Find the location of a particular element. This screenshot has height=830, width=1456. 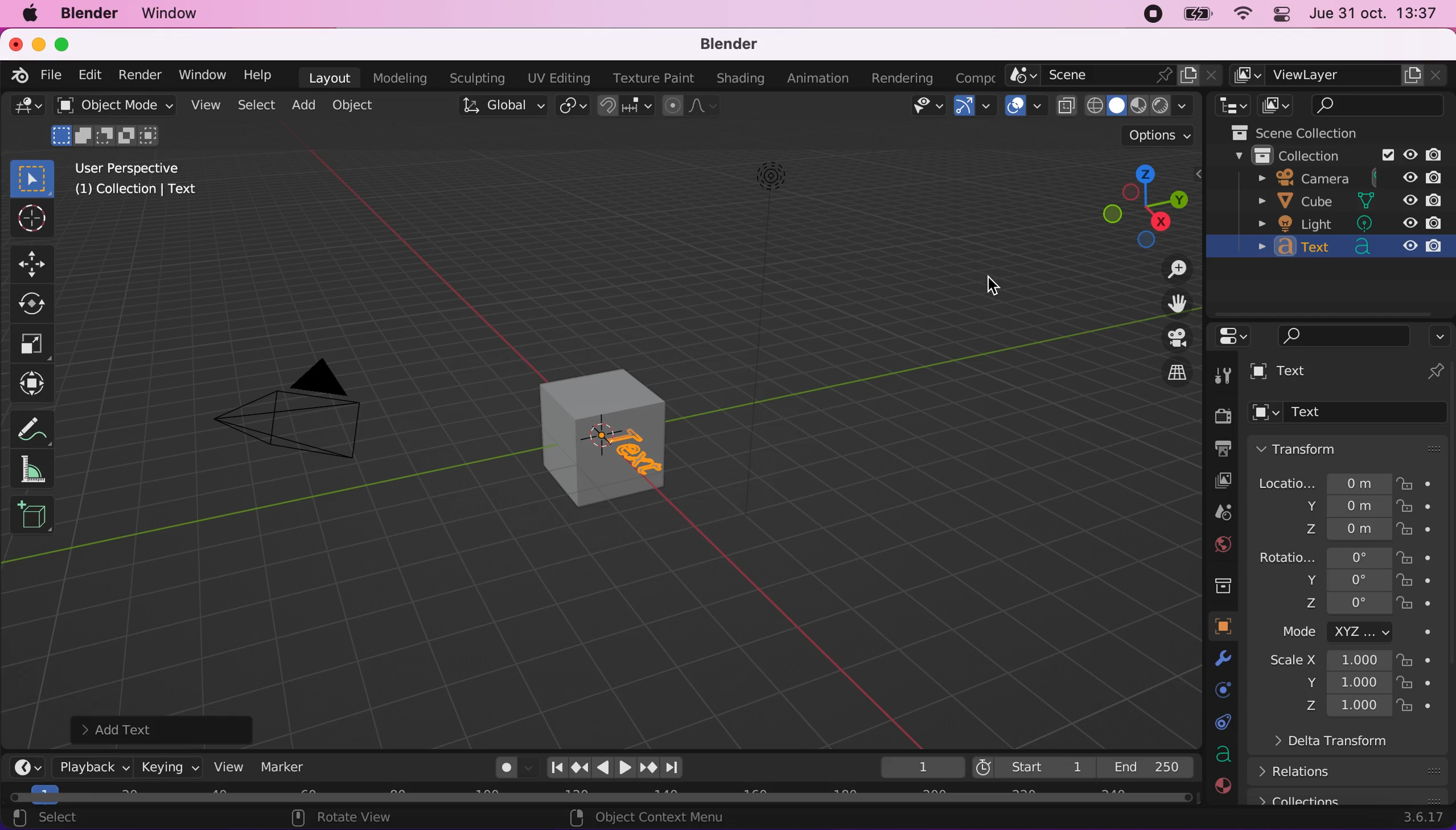

playback is located at coordinates (91, 767).